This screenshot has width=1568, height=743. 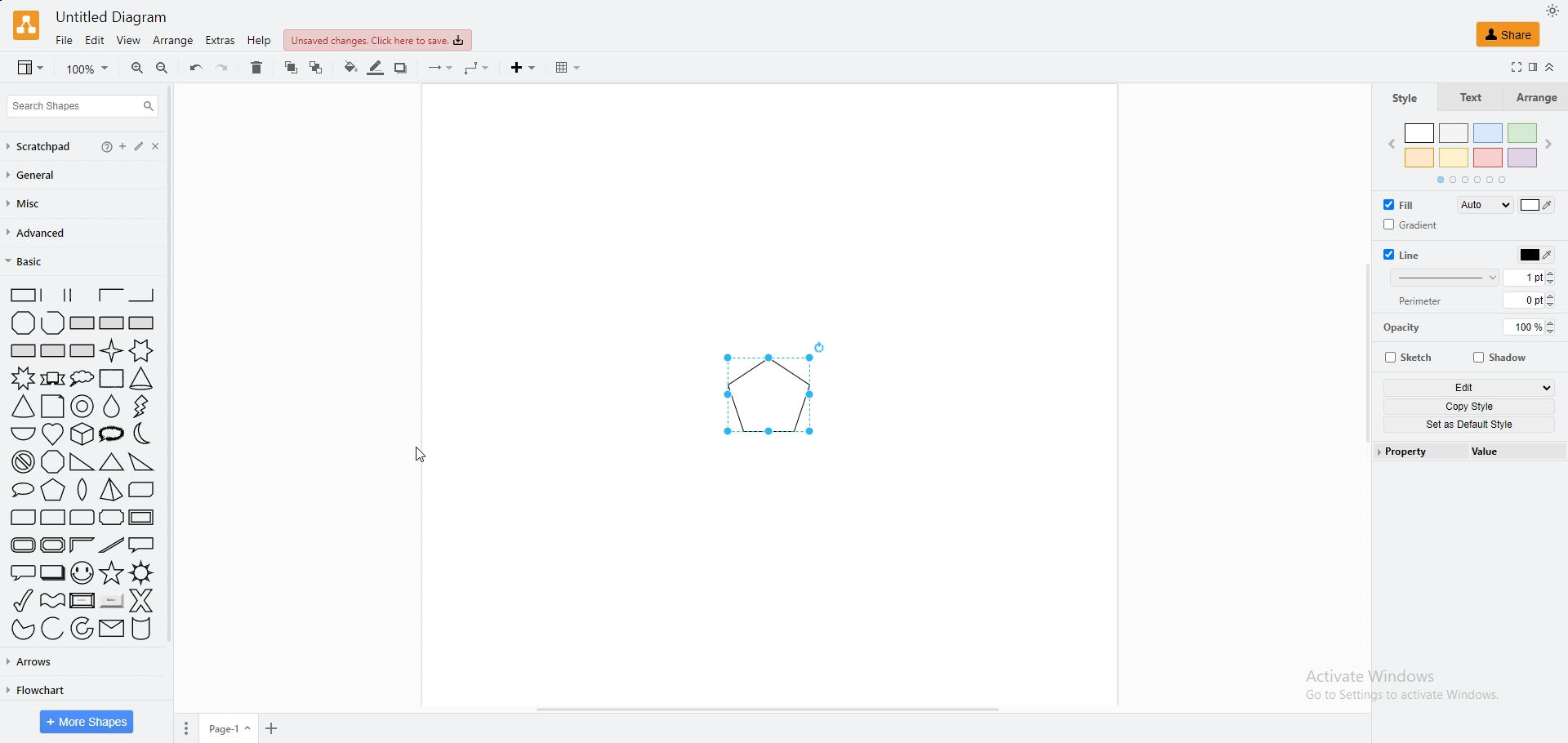 I want to click on next colors, so click(x=1552, y=145).